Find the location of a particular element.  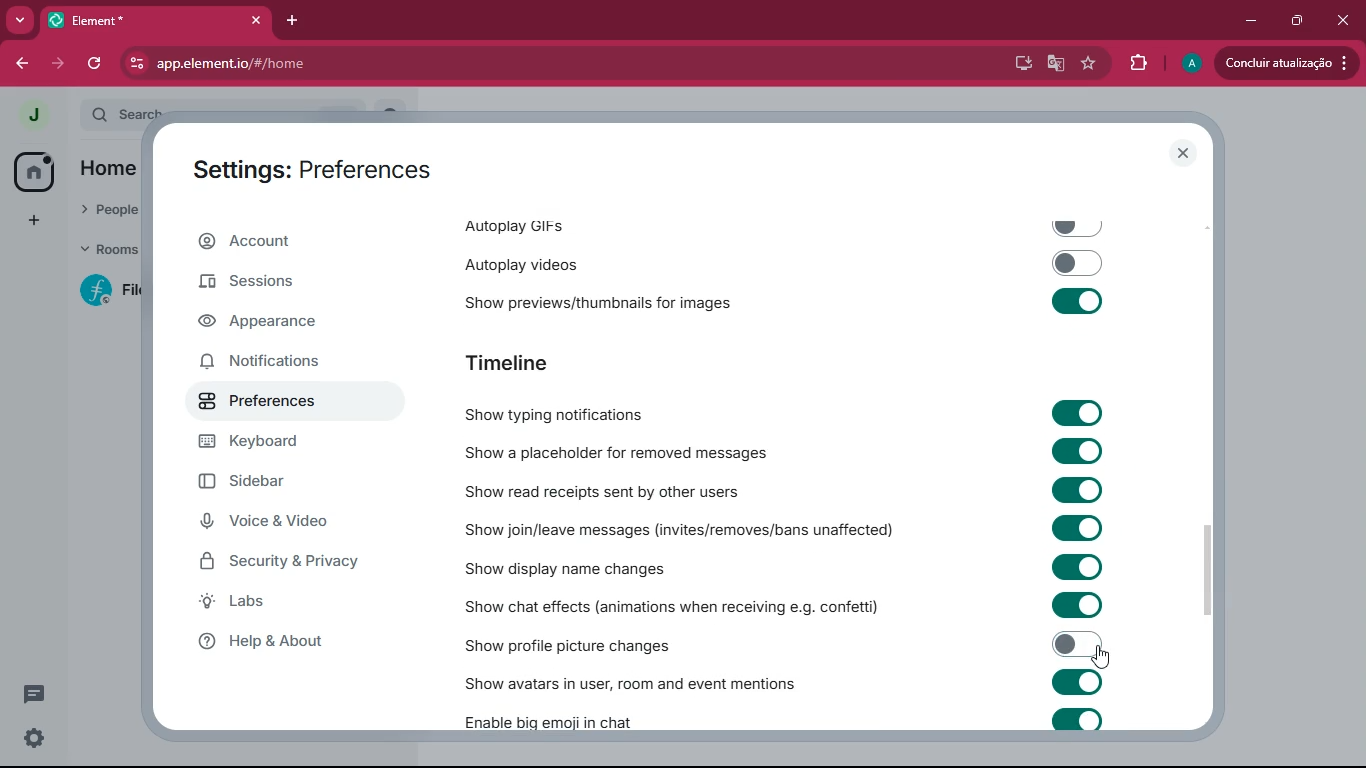

sidebar is located at coordinates (284, 485).